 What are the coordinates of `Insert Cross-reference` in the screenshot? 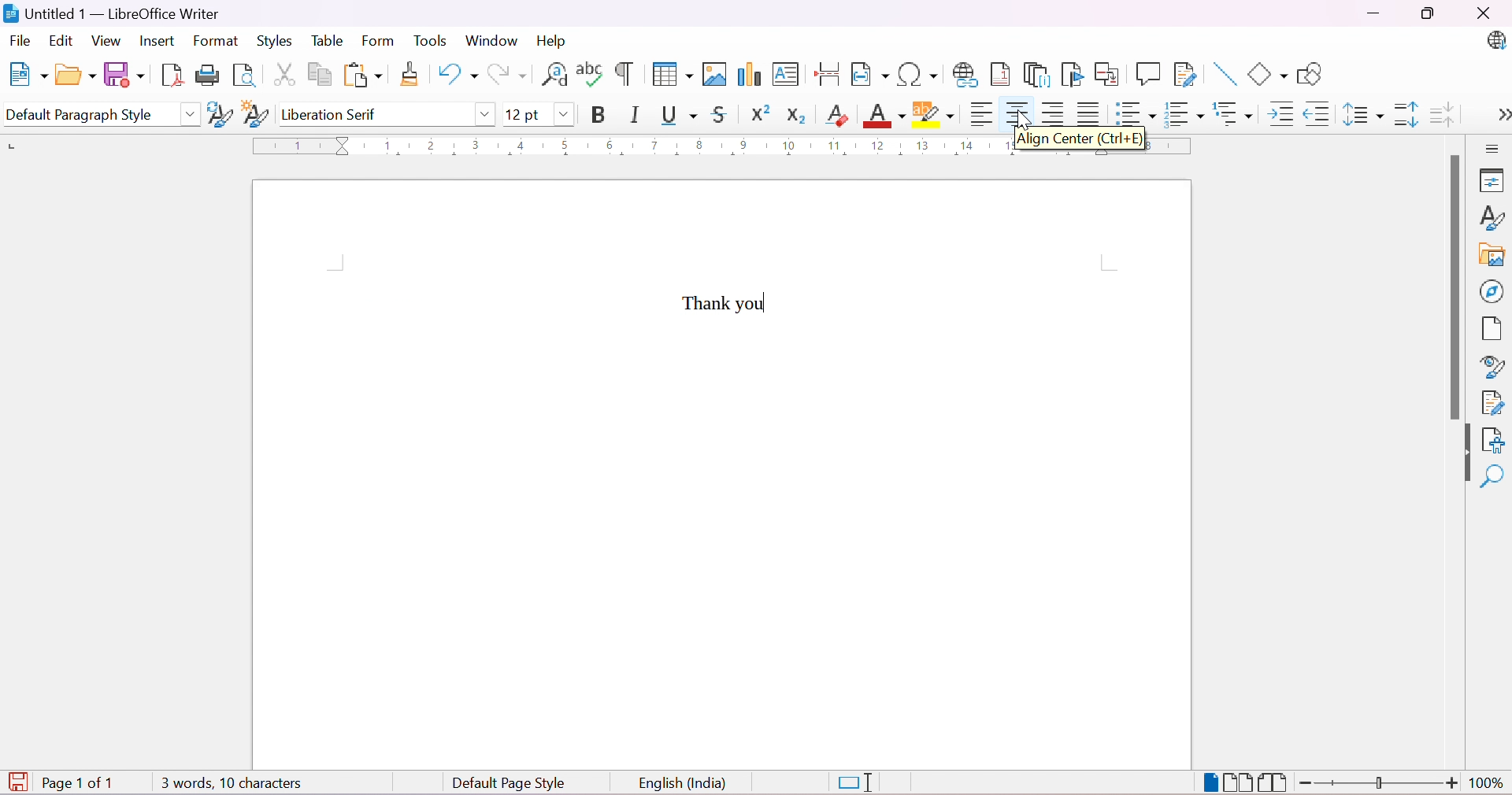 It's located at (1107, 75).